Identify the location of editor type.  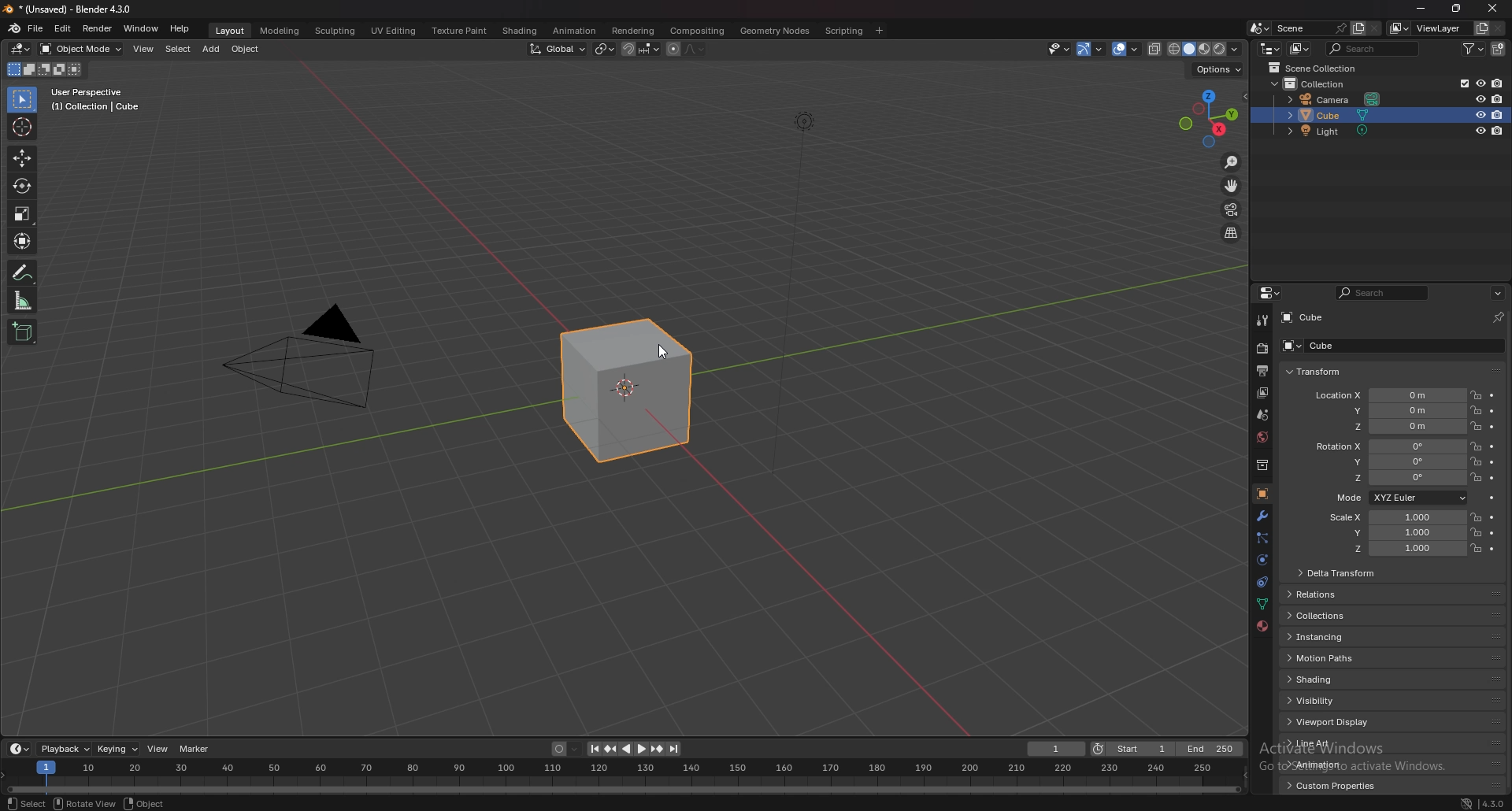
(1271, 49).